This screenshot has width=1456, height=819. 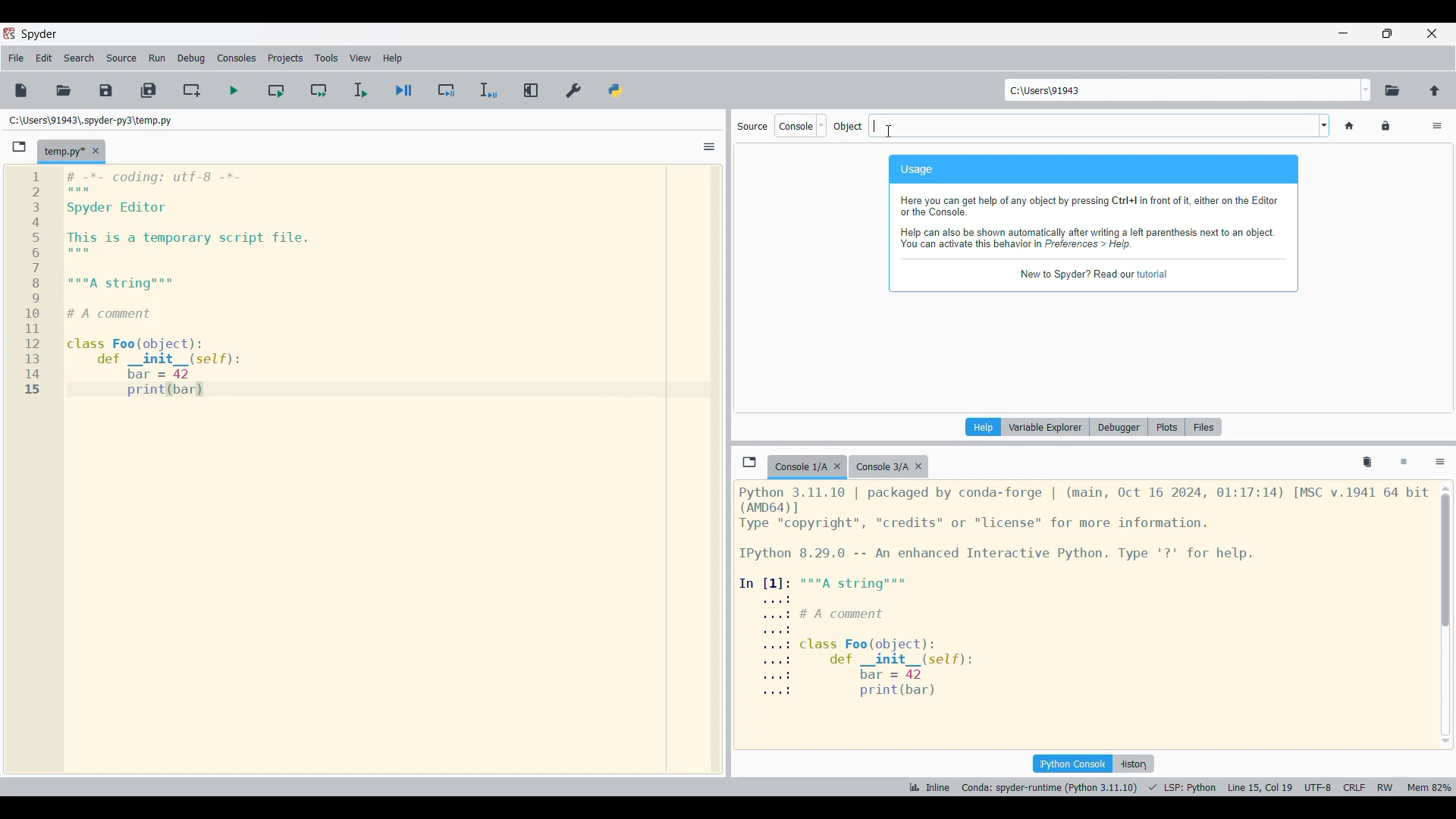 I want to click on Debugger, so click(x=1118, y=427).